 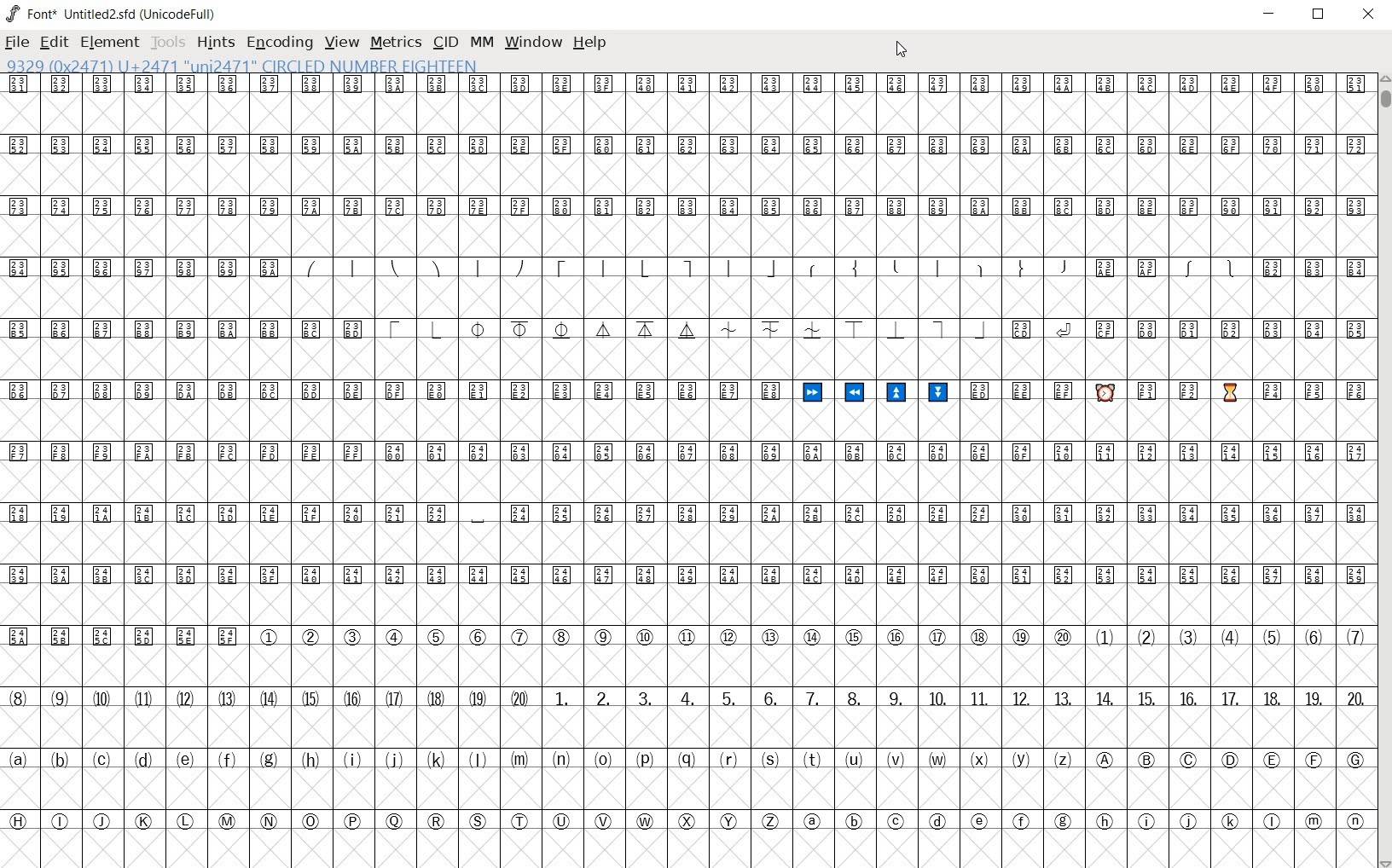 I want to click on metrics, so click(x=396, y=42).